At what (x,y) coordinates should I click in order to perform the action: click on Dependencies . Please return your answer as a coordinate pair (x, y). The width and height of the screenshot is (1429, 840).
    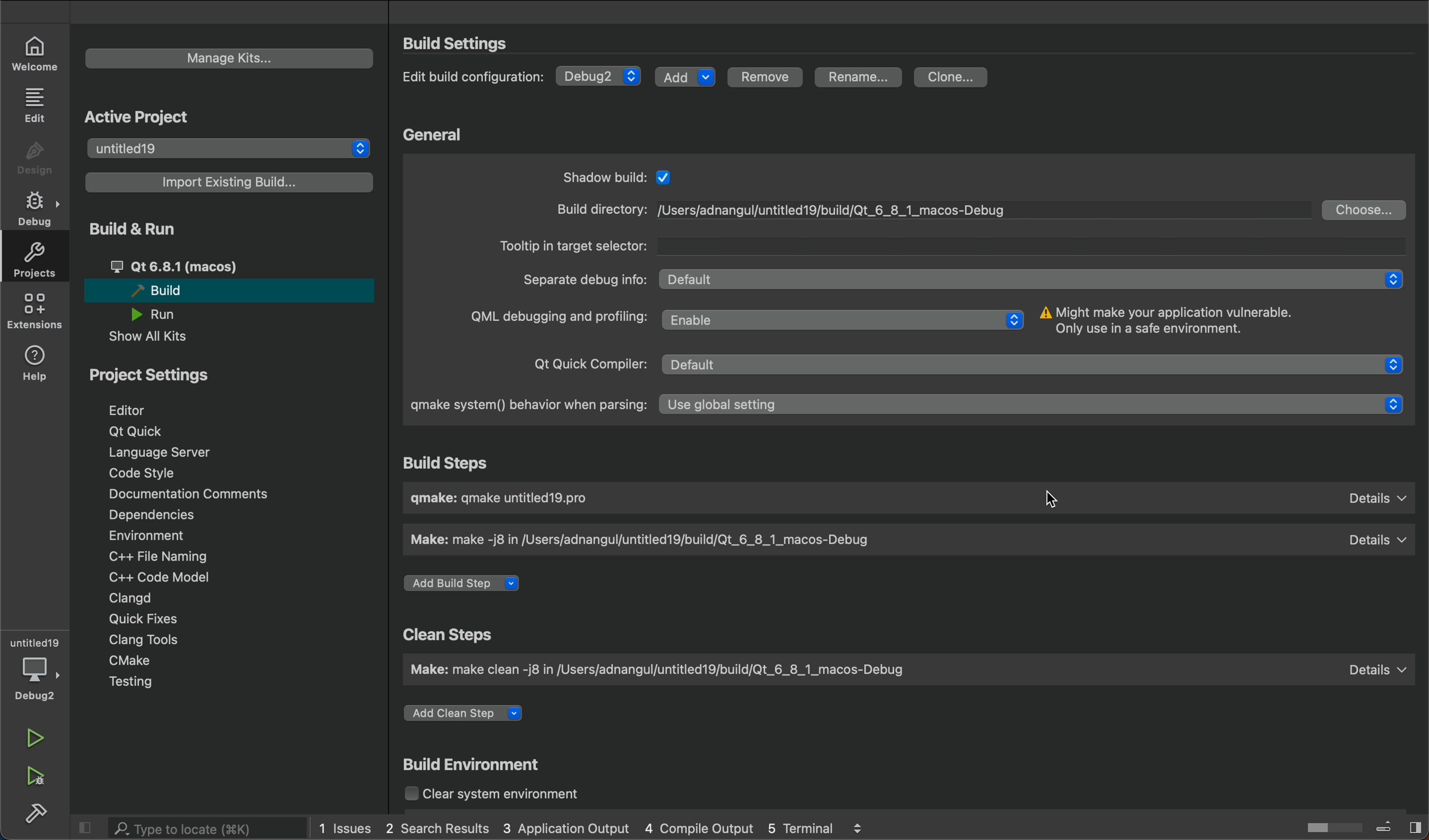
    Looking at the image, I should click on (164, 516).